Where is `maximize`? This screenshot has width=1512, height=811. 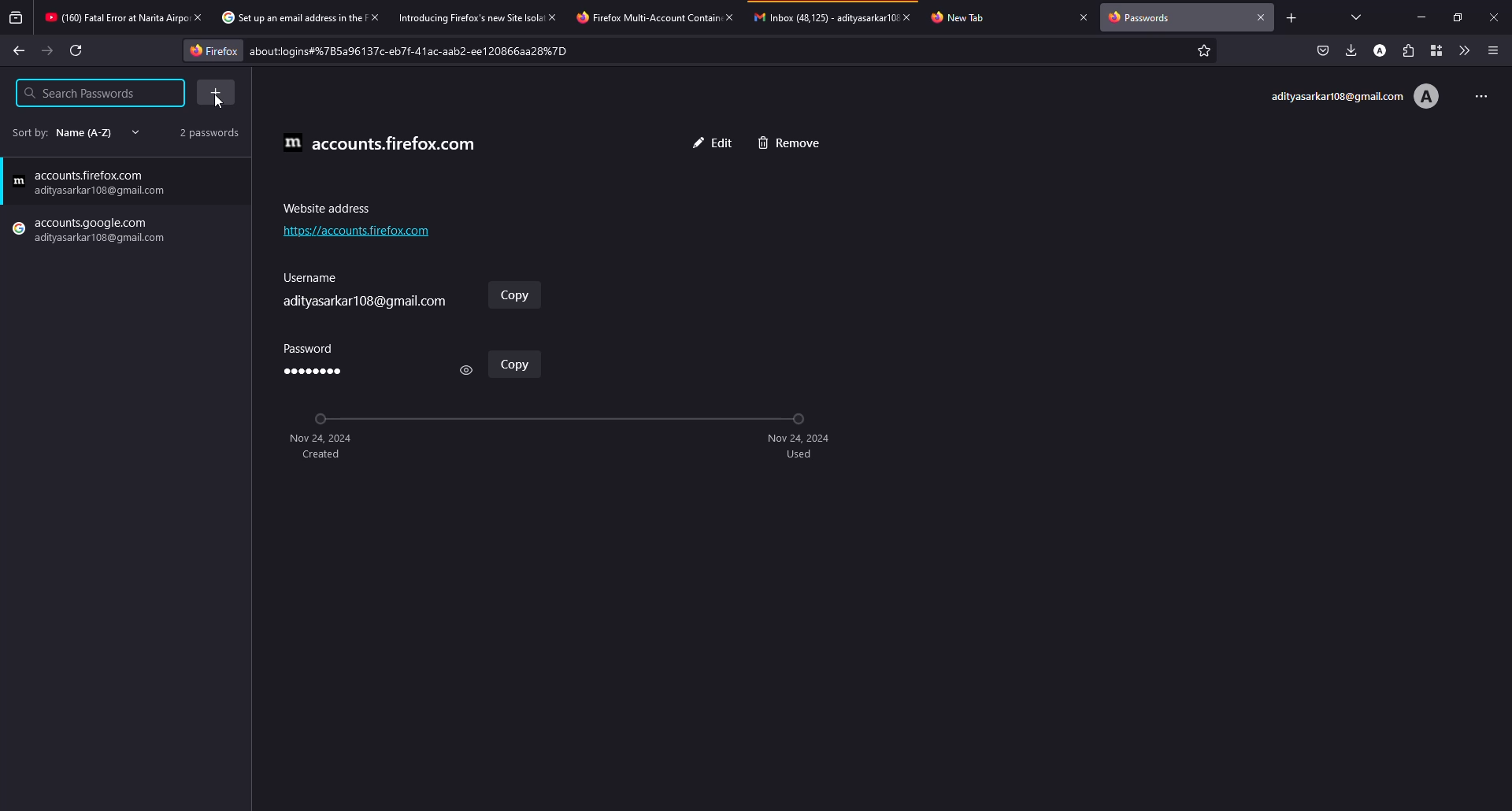 maximize is located at coordinates (1454, 17).